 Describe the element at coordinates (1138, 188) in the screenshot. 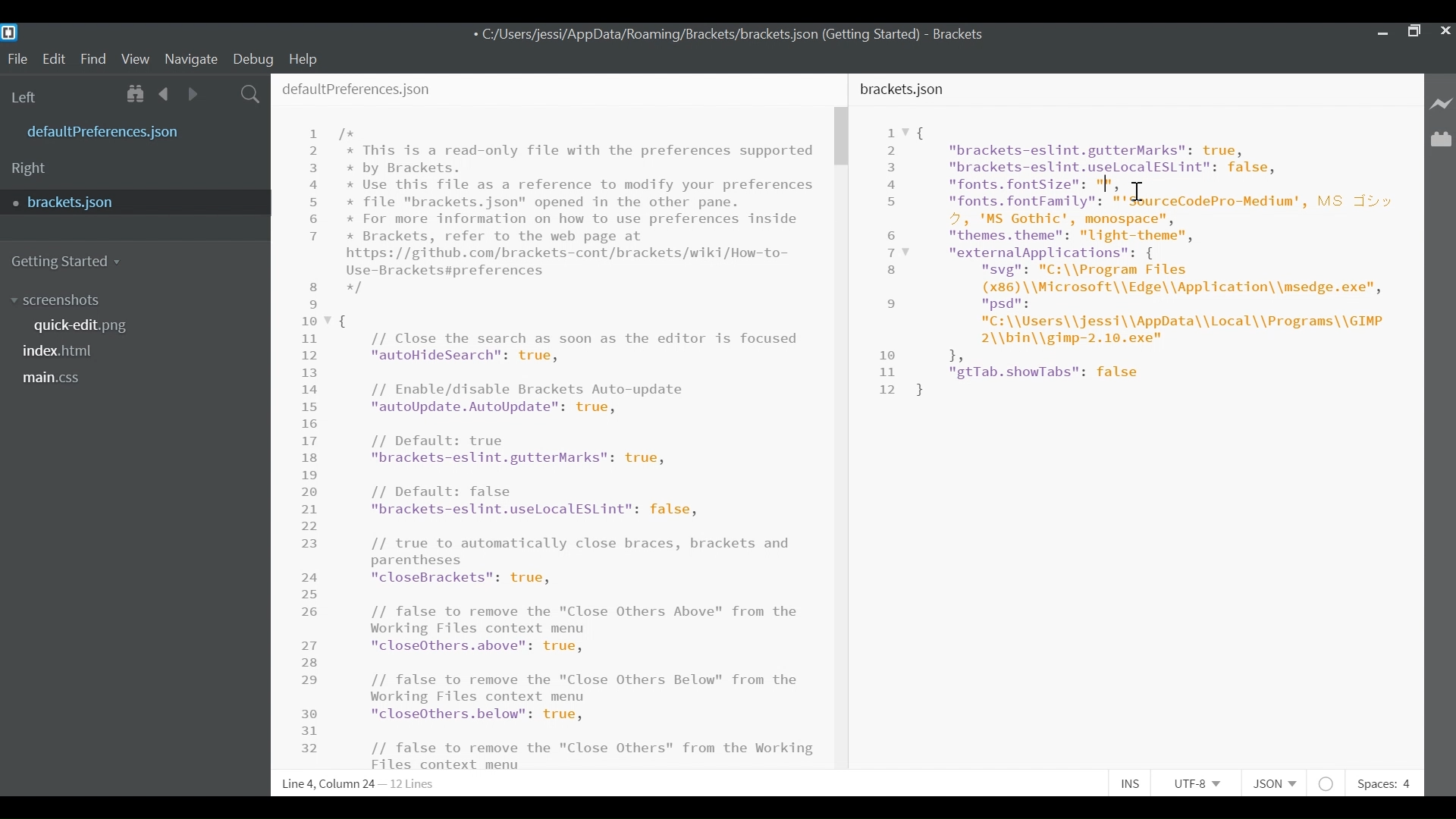

I see `cursor` at that location.